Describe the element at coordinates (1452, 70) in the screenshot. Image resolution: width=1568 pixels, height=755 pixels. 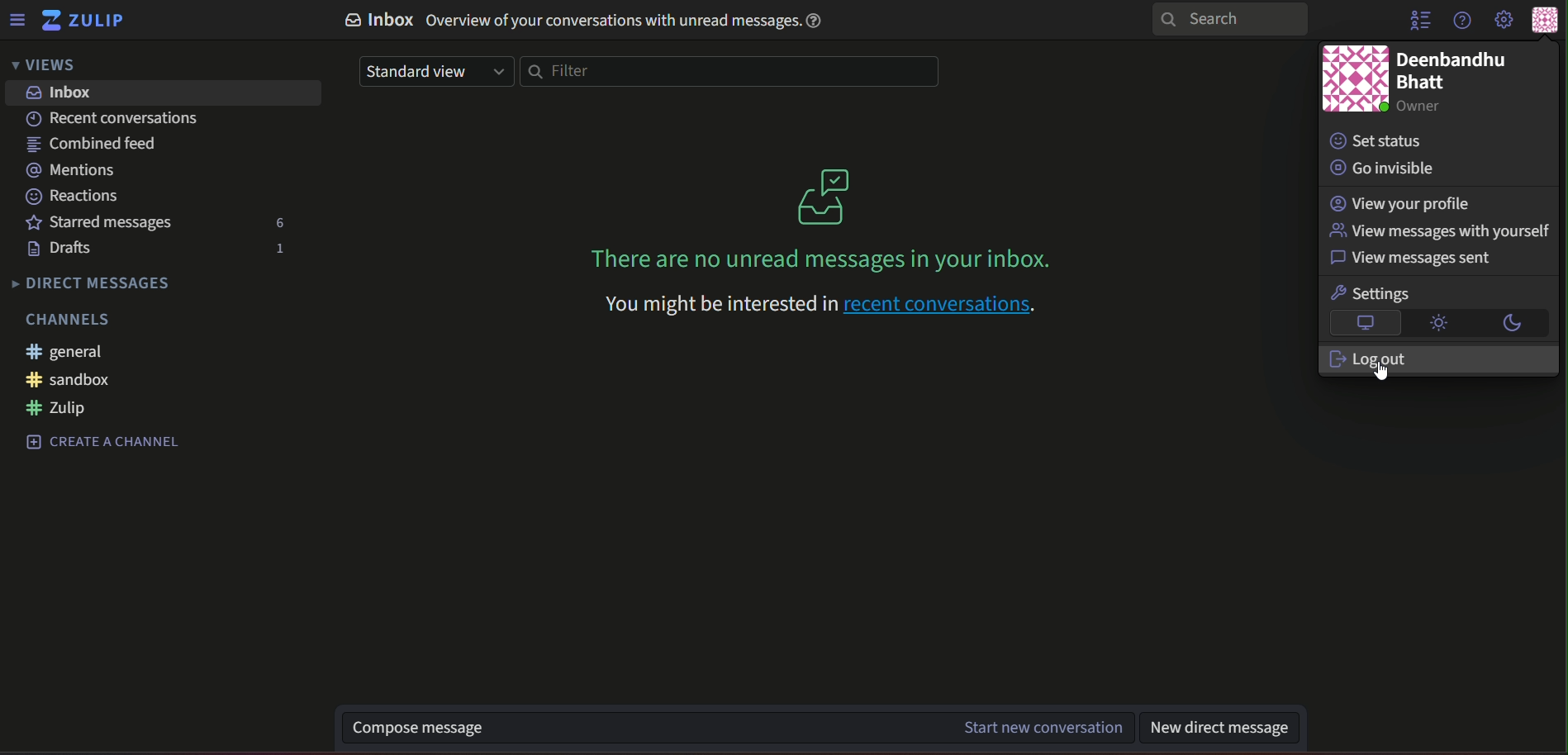
I see `text` at that location.